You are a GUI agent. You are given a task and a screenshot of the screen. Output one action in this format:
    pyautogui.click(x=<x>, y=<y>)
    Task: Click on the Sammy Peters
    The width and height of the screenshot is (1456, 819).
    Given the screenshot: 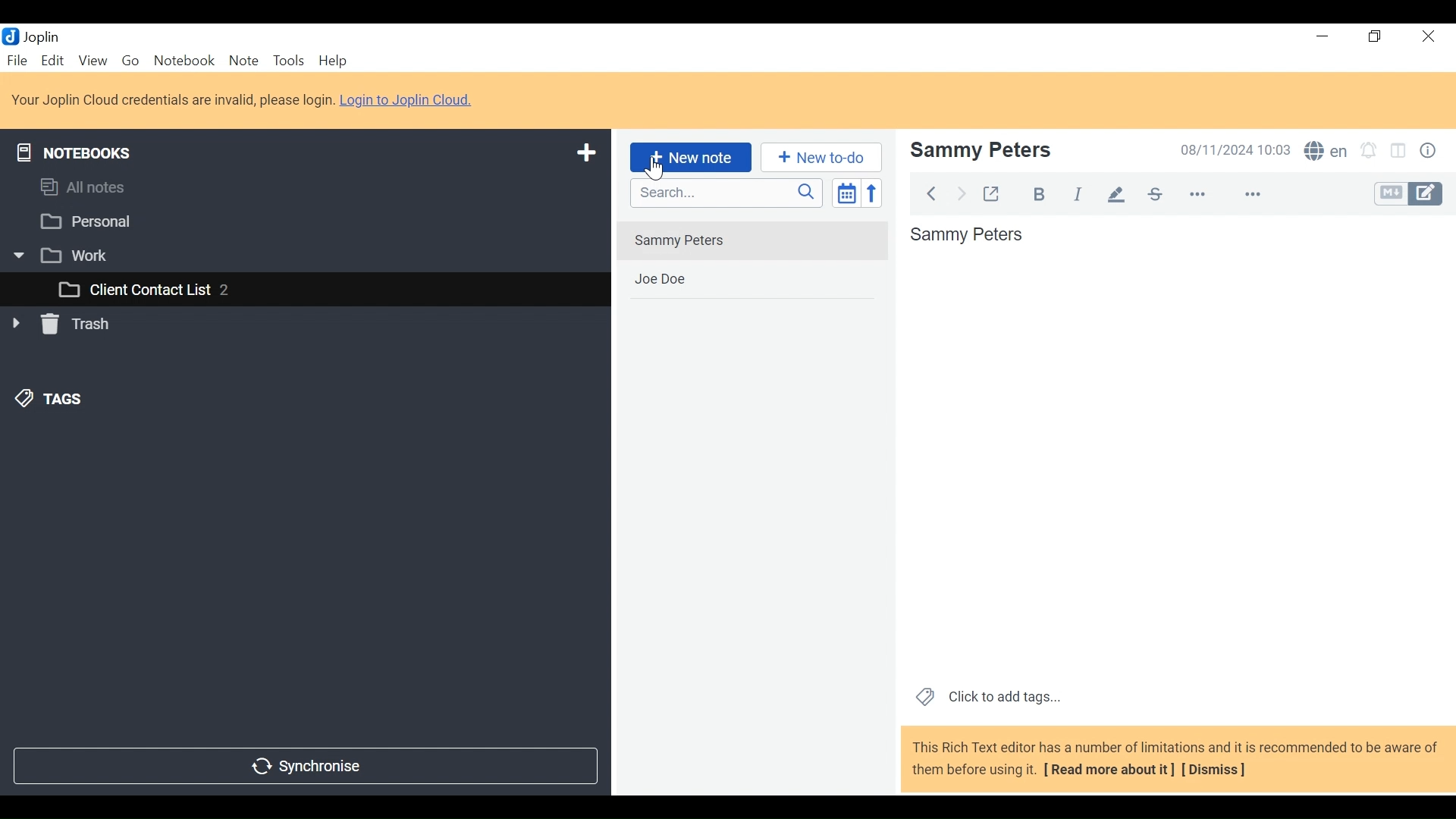 What is the action you would take?
    pyautogui.click(x=751, y=240)
    